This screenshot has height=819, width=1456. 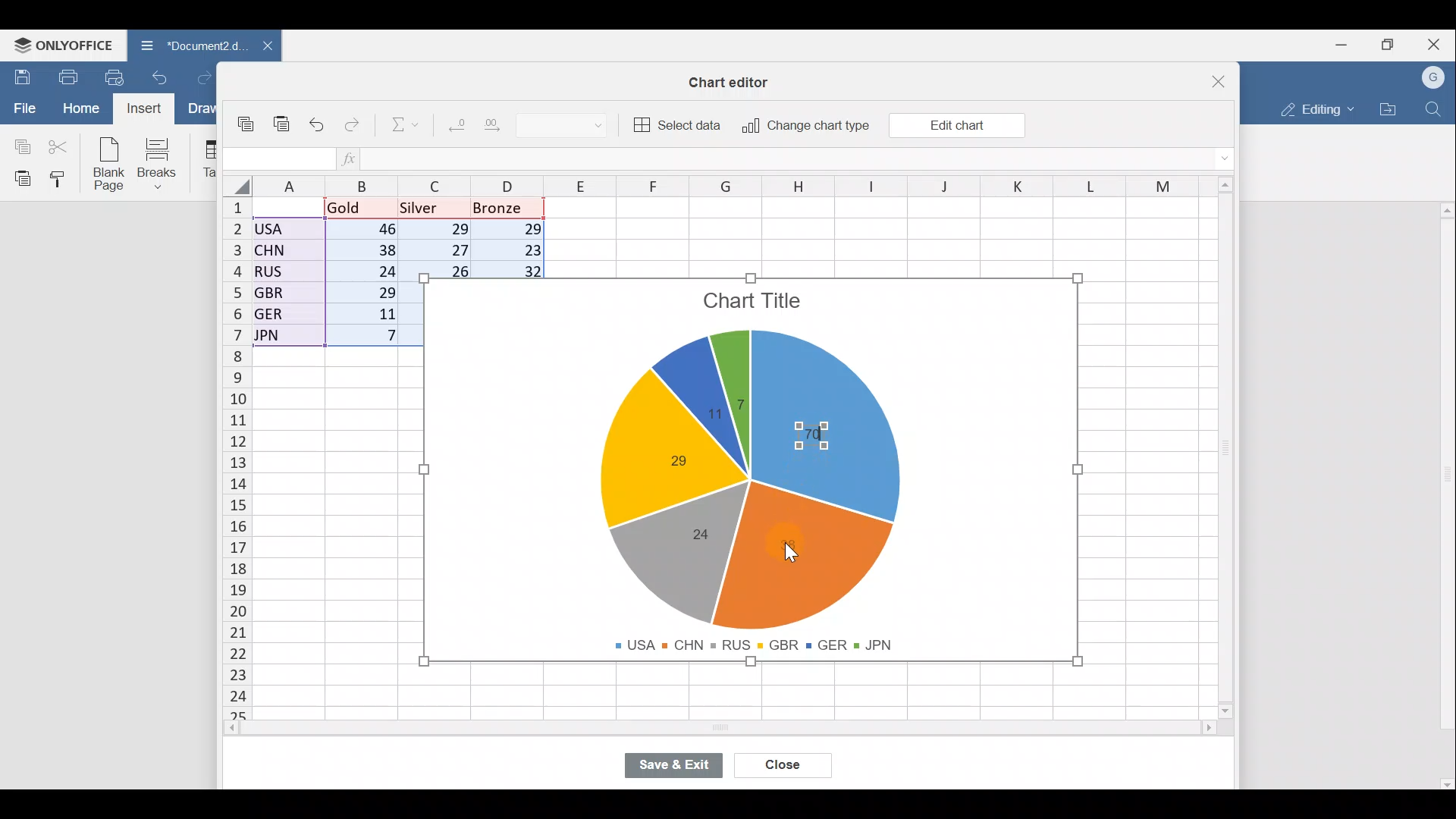 What do you see at coordinates (59, 146) in the screenshot?
I see `Cut` at bounding box center [59, 146].